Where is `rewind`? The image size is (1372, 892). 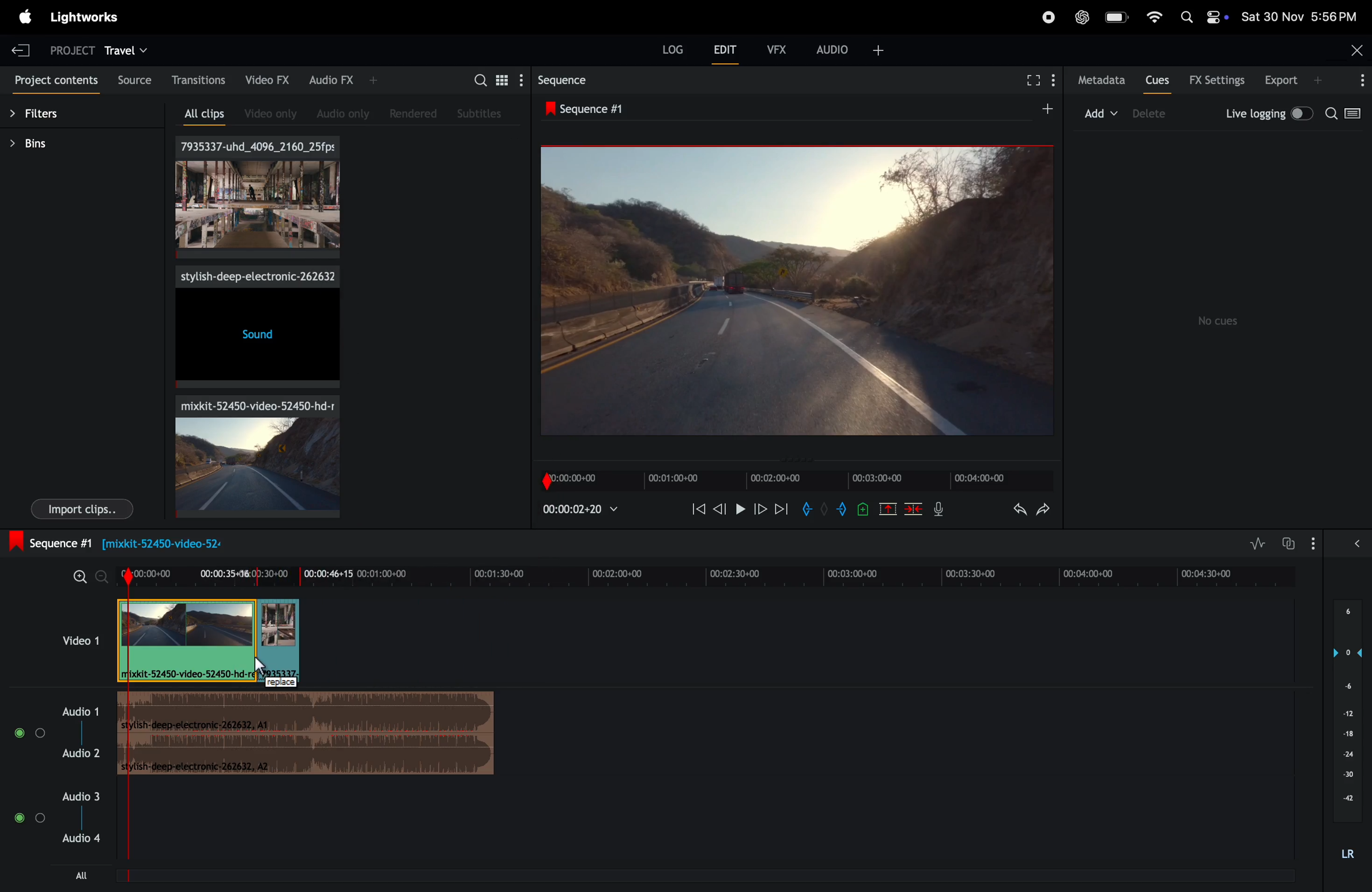 rewind is located at coordinates (696, 508).